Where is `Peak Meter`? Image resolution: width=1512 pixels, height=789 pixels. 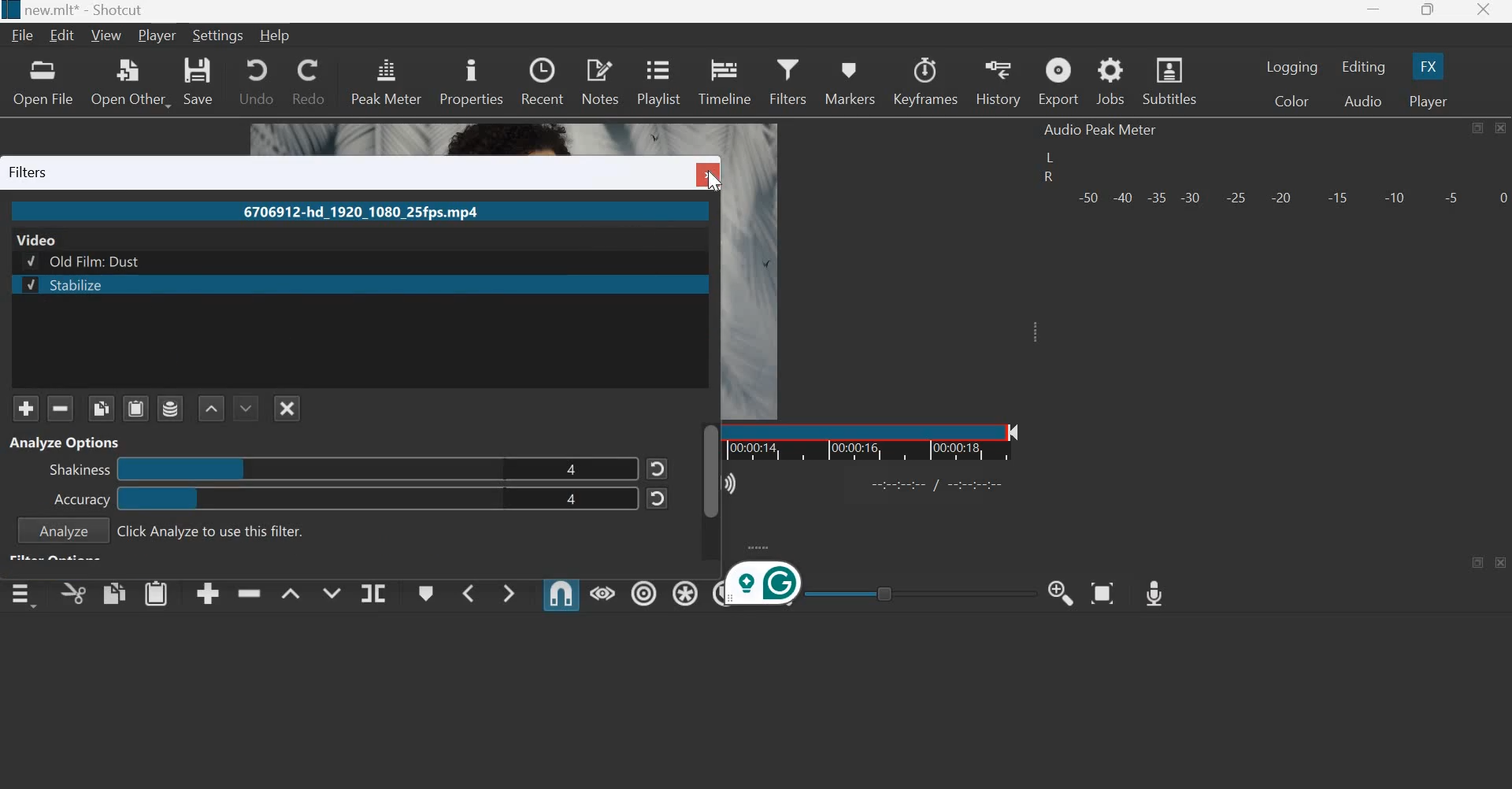 Peak Meter is located at coordinates (387, 80).